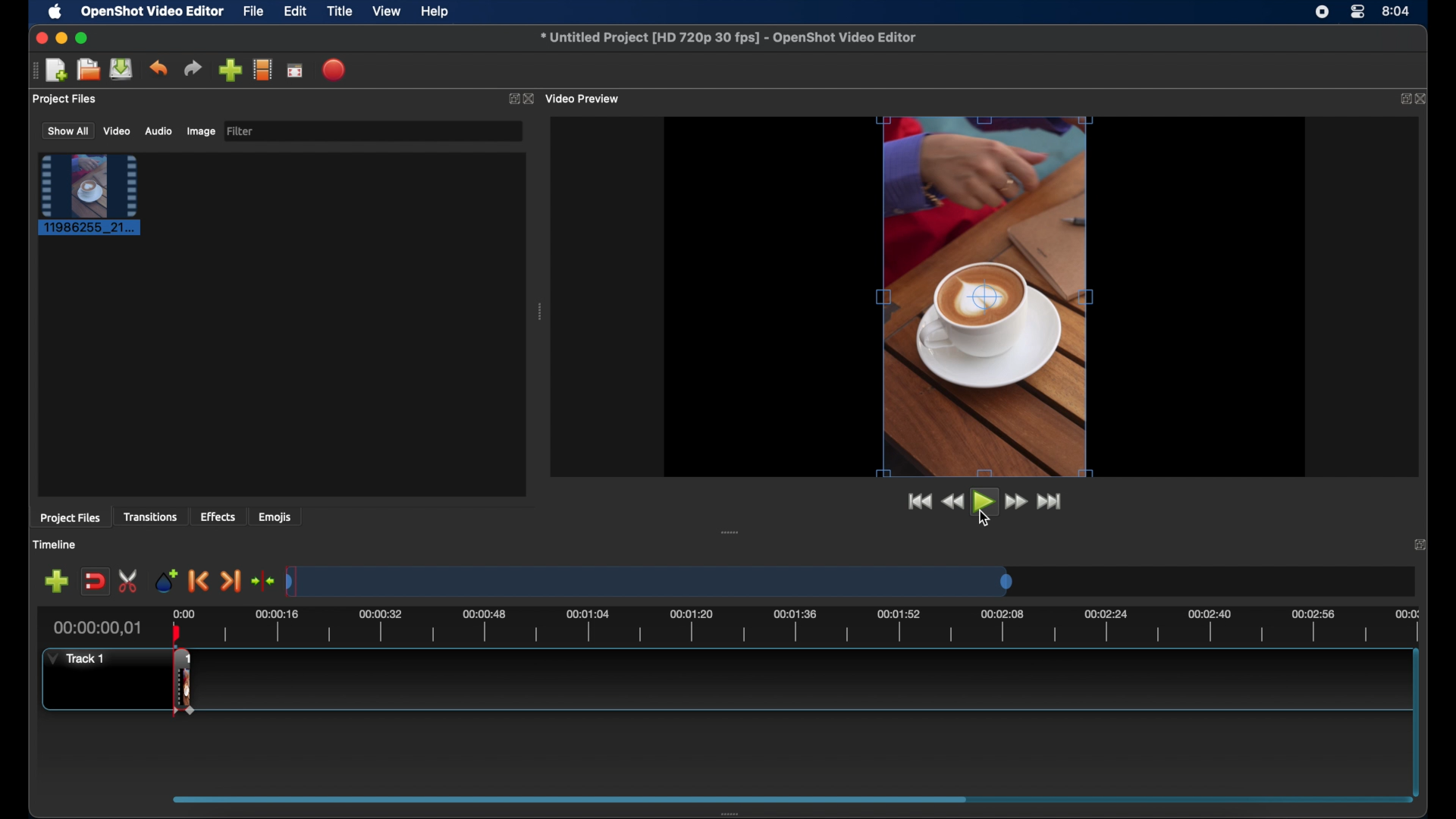 This screenshot has height=819, width=1456. What do you see at coordinates (150, 518) in the screenshot?
I see `transitions` at bounding box center [150, 518].